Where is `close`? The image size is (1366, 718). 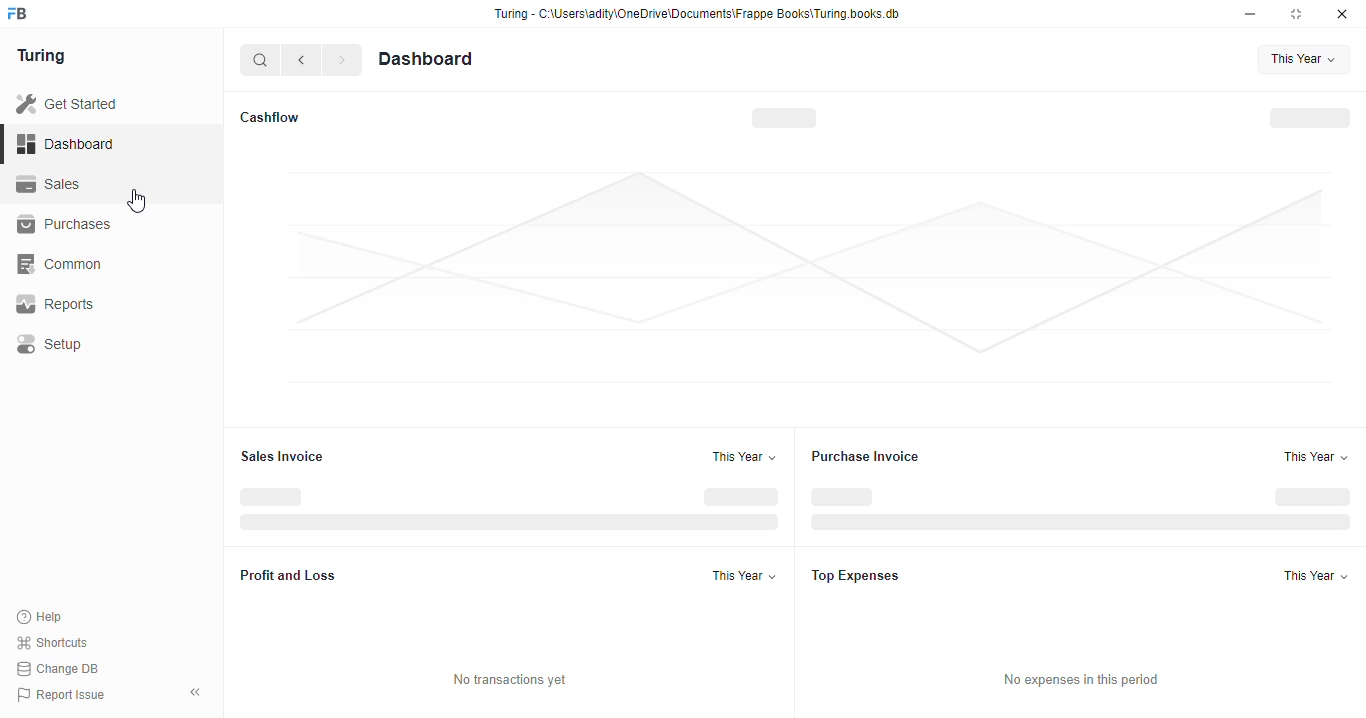
close is located at coordinates (1345, 14).